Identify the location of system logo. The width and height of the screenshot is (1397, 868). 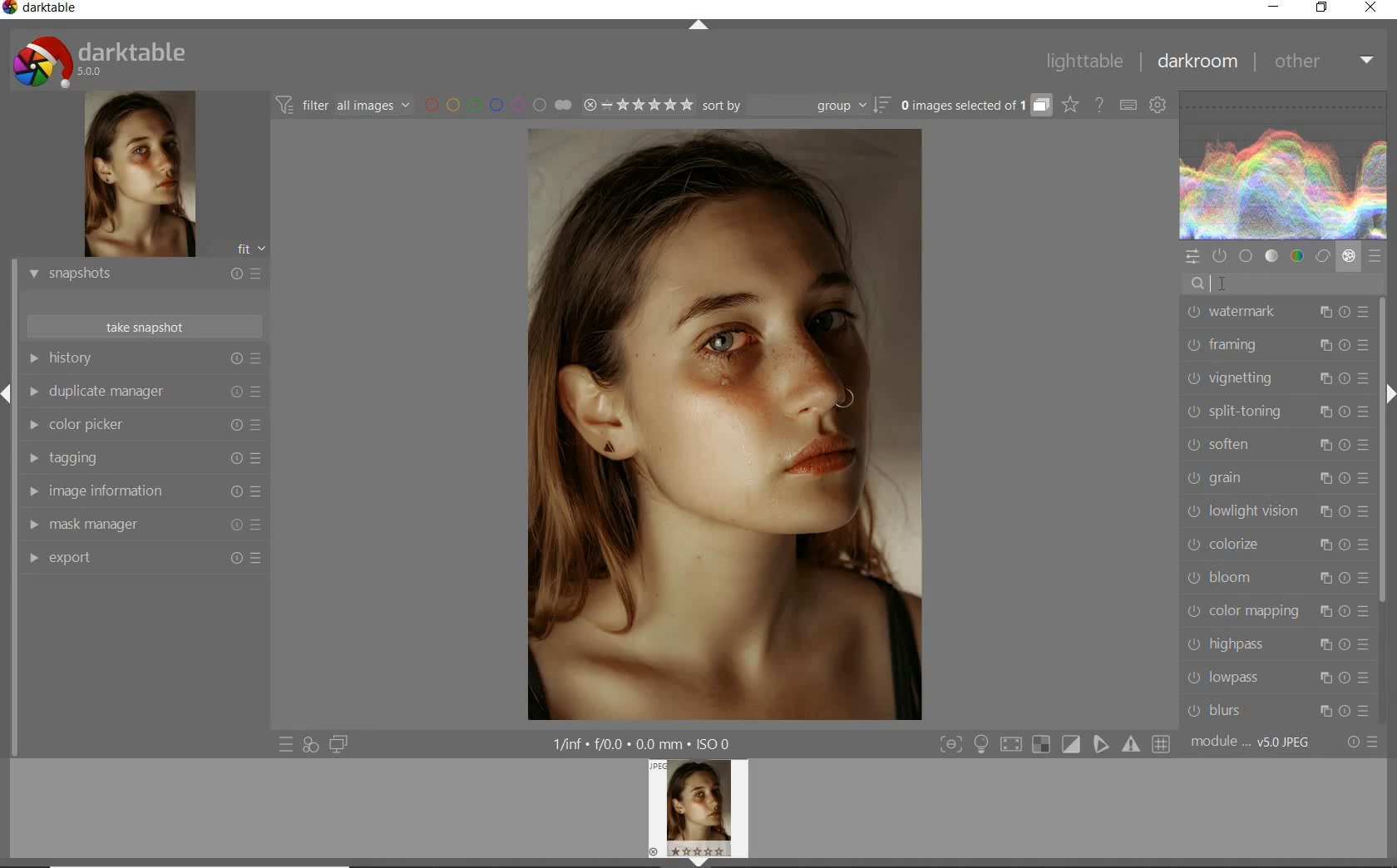
(108, 59).